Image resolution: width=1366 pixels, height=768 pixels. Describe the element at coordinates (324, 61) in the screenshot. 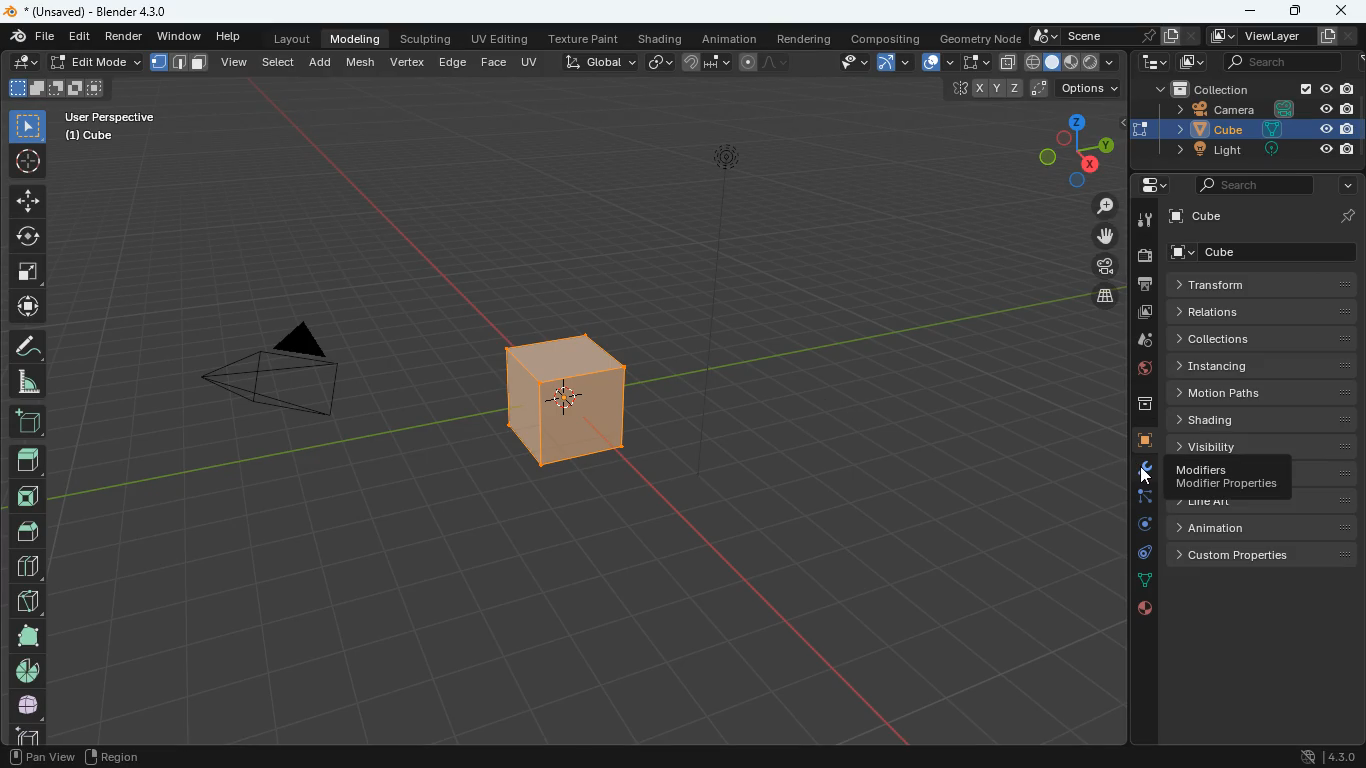

I see `add` at that location.